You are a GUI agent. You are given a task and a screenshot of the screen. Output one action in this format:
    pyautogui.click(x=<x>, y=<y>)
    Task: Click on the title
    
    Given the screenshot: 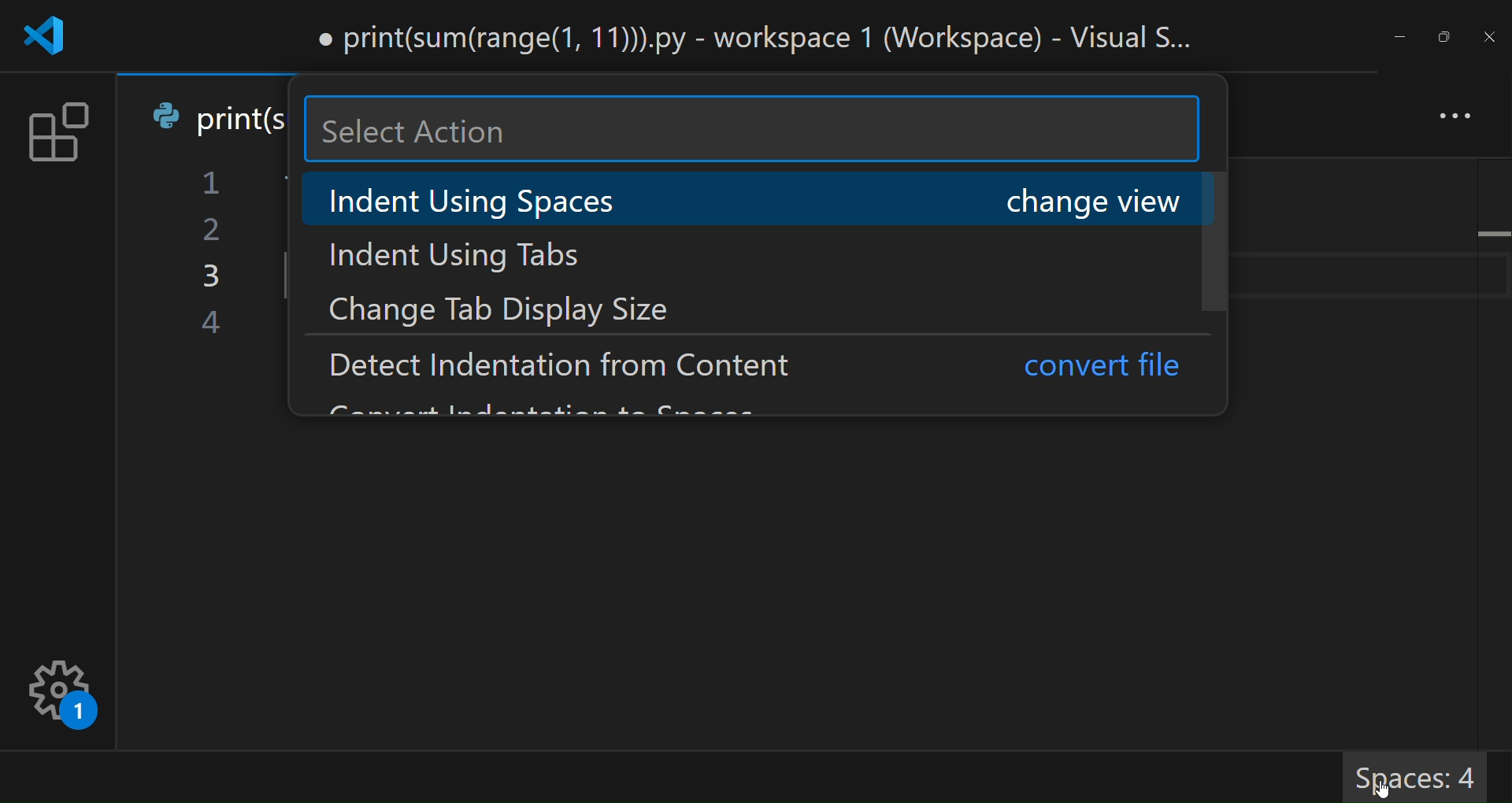 What is the action you would take?
    pyautogui.click(x=761, y=40)
    